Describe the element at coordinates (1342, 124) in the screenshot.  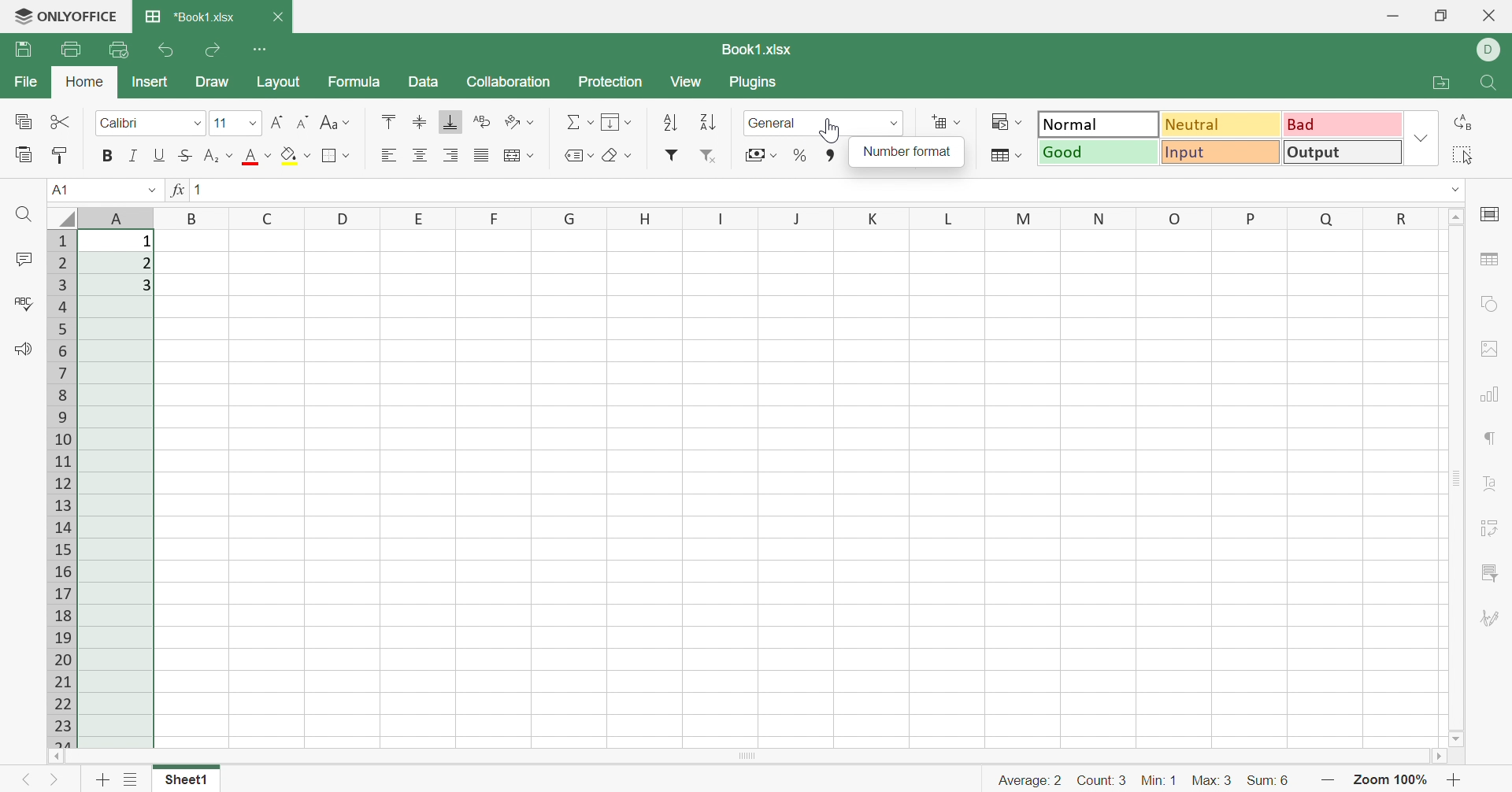
I see `Bad` at that location.